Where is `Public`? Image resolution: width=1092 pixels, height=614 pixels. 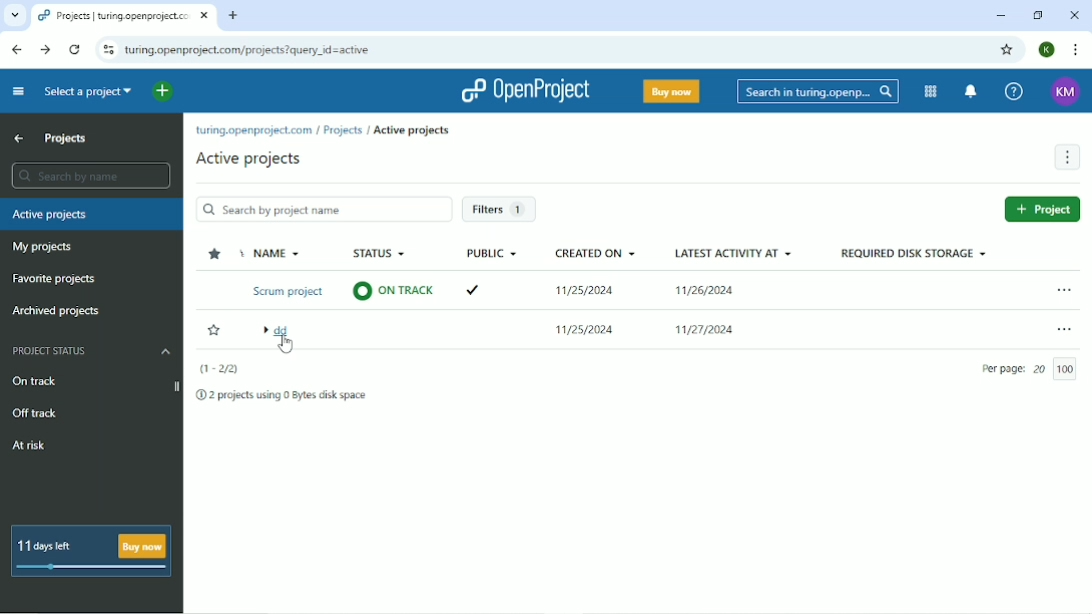
Public is located at coordinates (492, 251).